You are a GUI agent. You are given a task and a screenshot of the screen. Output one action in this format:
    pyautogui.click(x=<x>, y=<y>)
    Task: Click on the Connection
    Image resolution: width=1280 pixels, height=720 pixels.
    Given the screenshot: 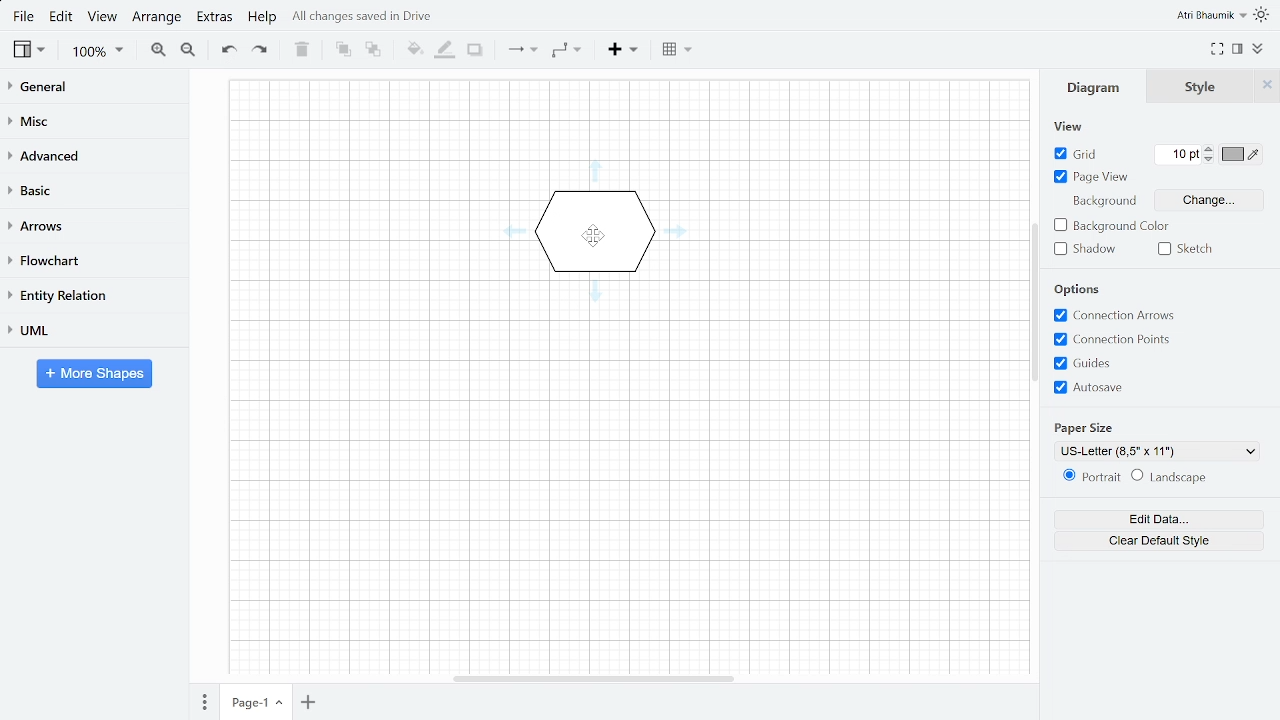 What is the action you would take?
    pyautogui.click(x=519, y=53)
    